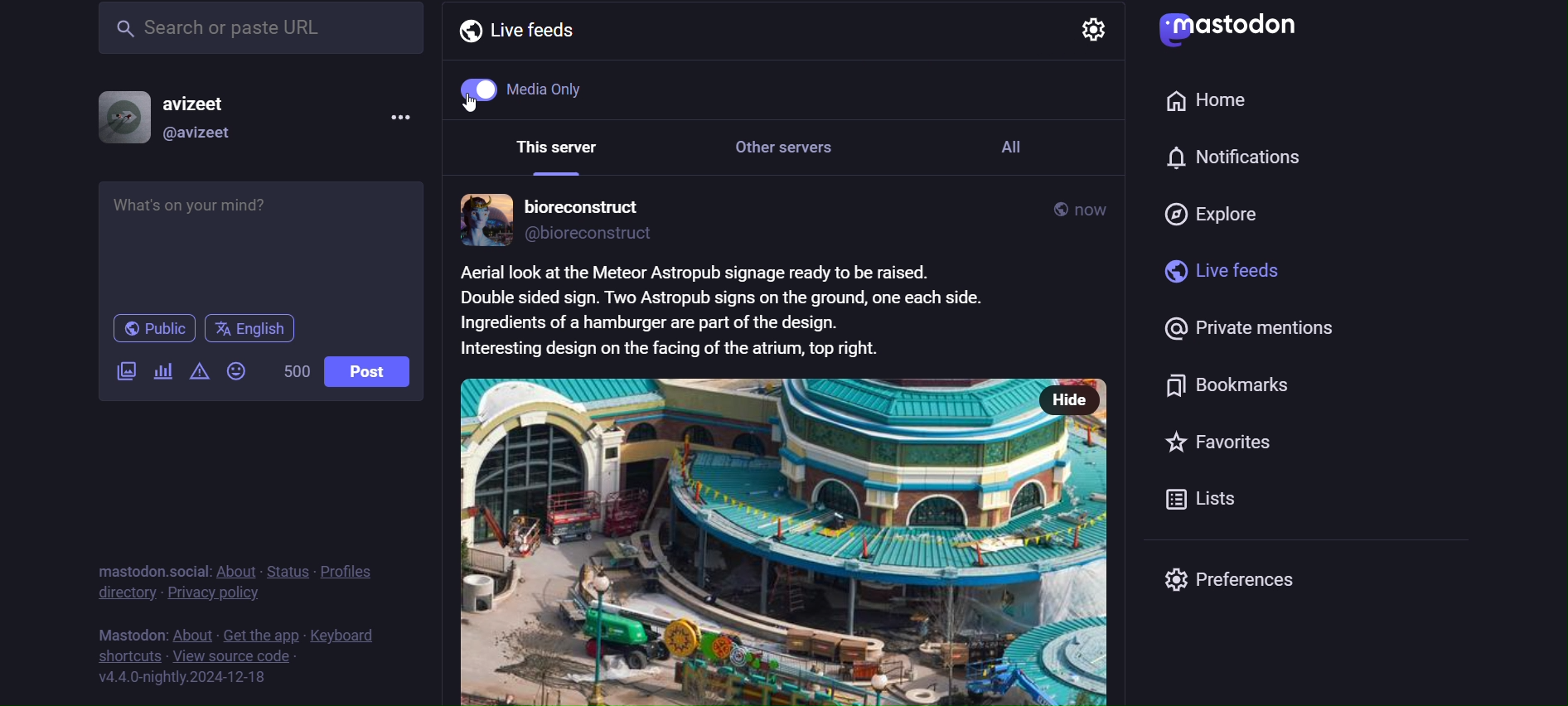 This screenshot has width=1568, height=706. Describe the element at coordinates (236, 373) in the screenshot. I see `emojis ` at that location.